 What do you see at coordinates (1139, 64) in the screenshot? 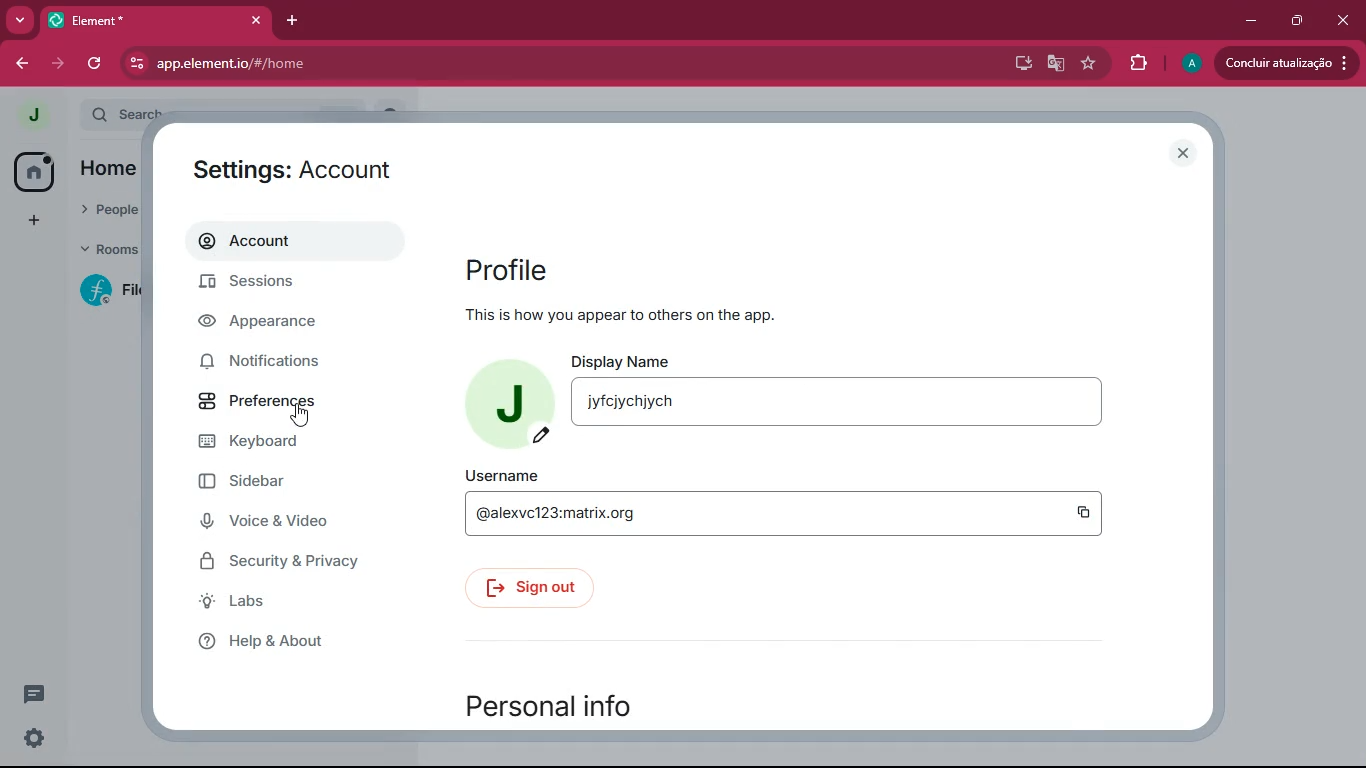
I see `extensions` at bounding box center [1139, 64].